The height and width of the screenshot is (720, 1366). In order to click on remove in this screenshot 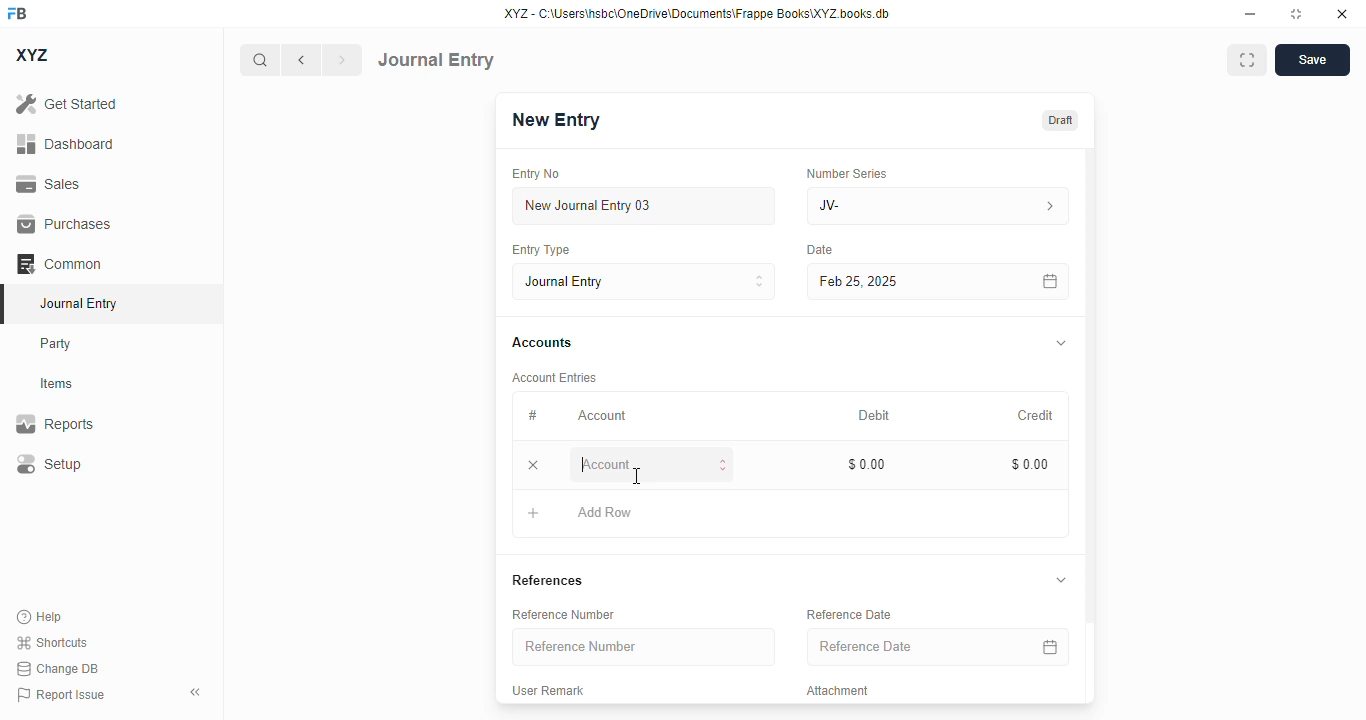, I will do `click(533, 464)`.